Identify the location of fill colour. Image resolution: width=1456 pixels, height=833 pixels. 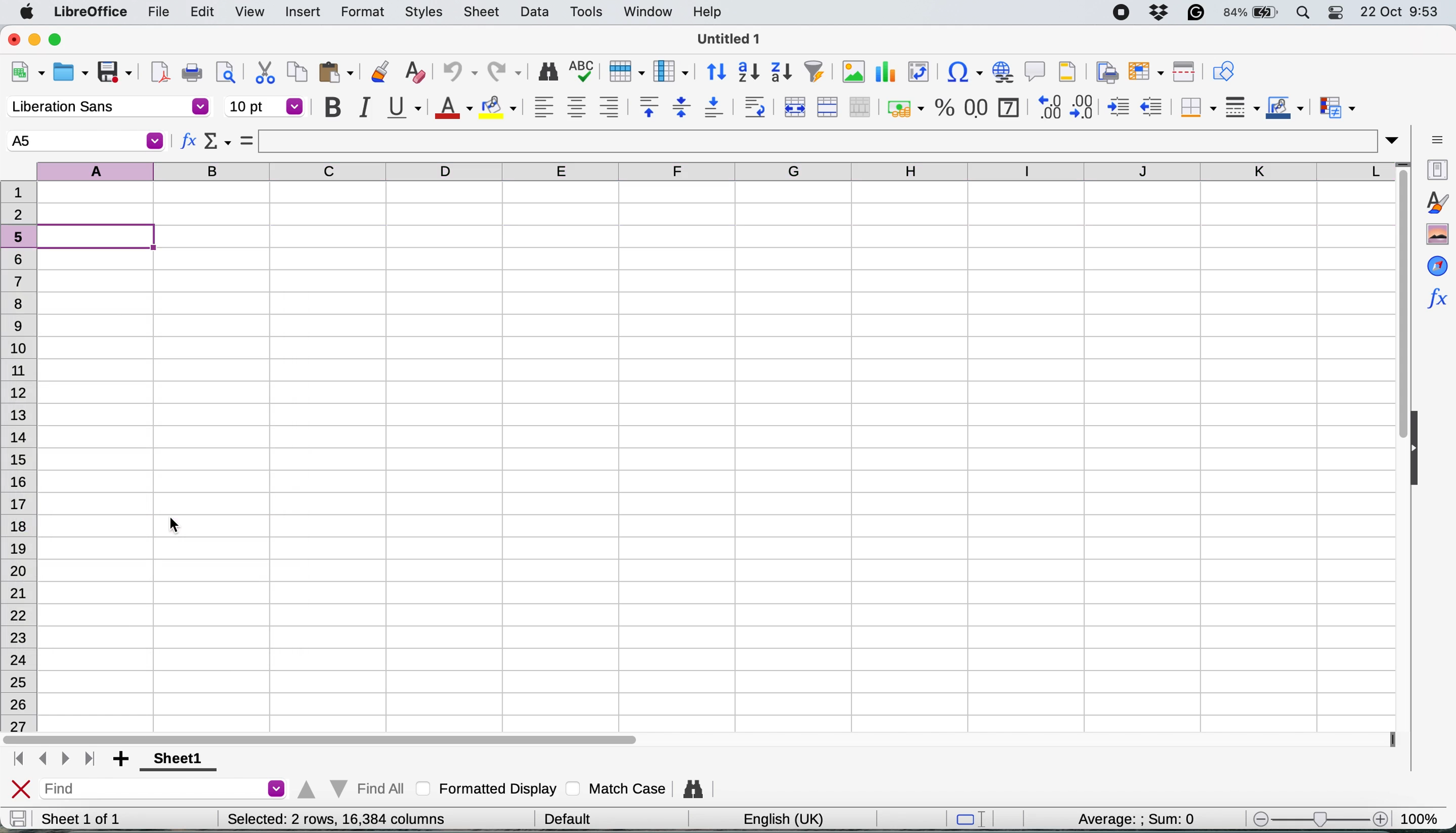
(501, 108).